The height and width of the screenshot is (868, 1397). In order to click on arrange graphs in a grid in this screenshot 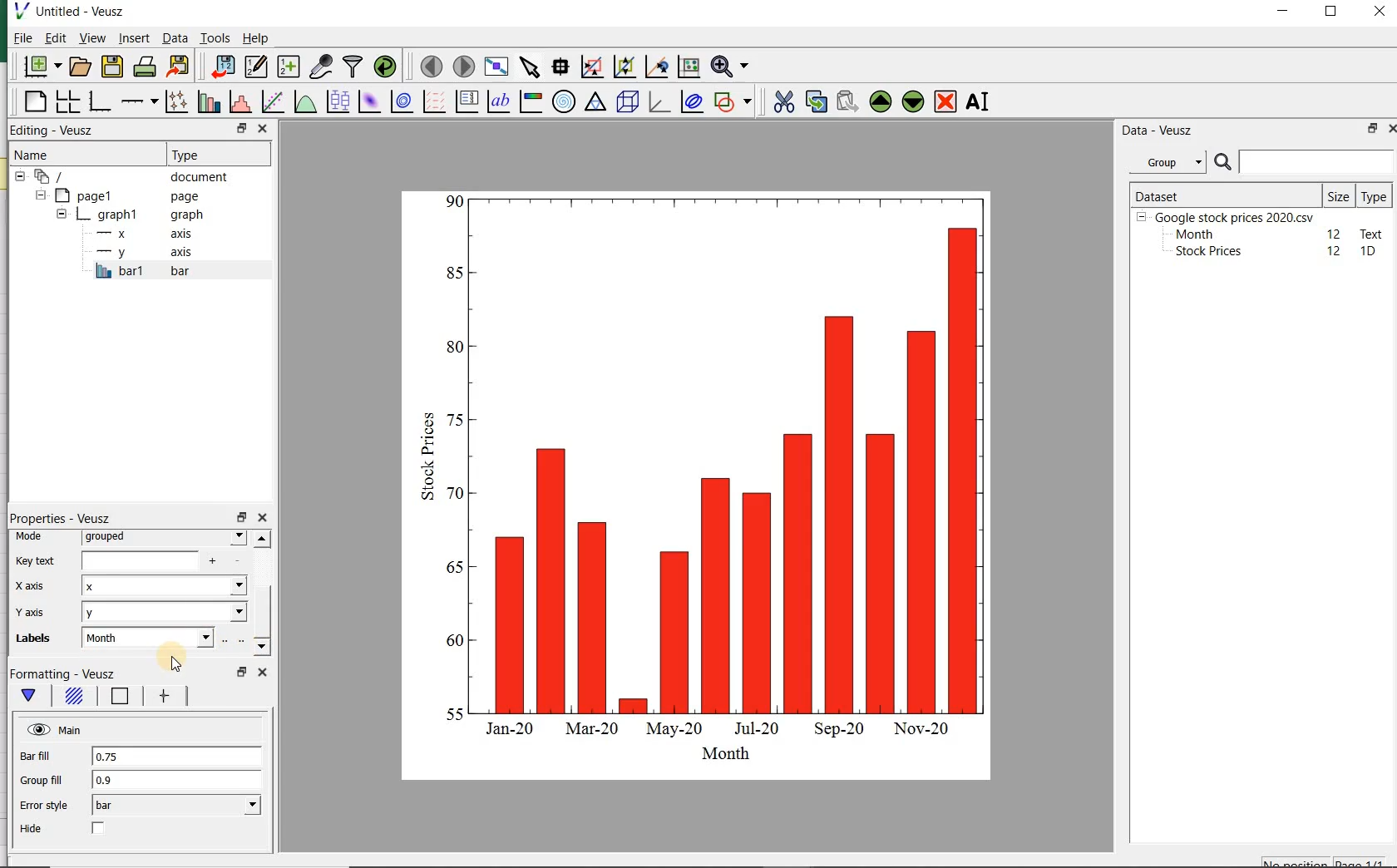, I will do `click(66, 102)`.